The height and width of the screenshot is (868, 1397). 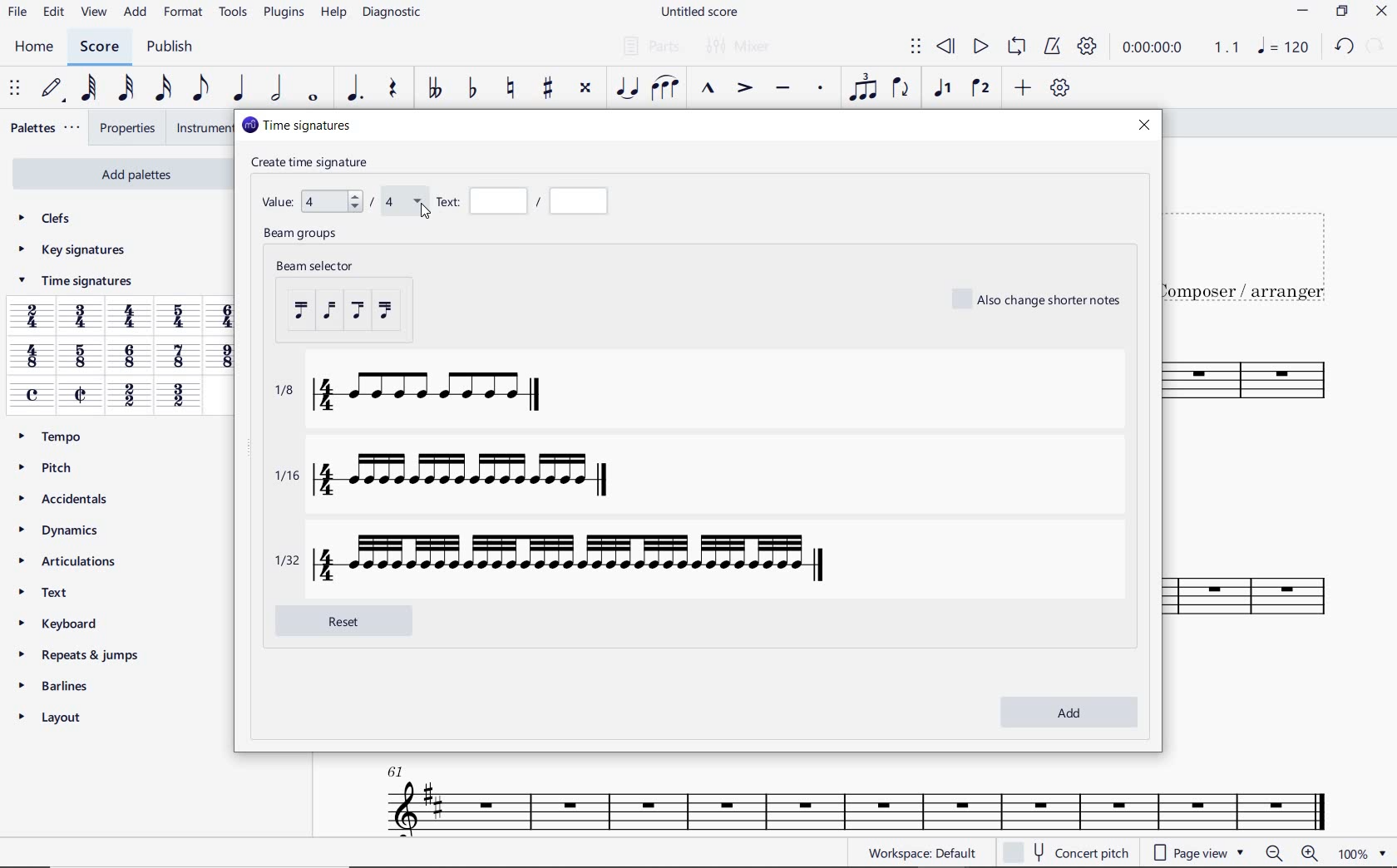 What do you see at coordinates (54, 12) in the screenshot?
I see `EDIT` at bounding box center [54, 12].